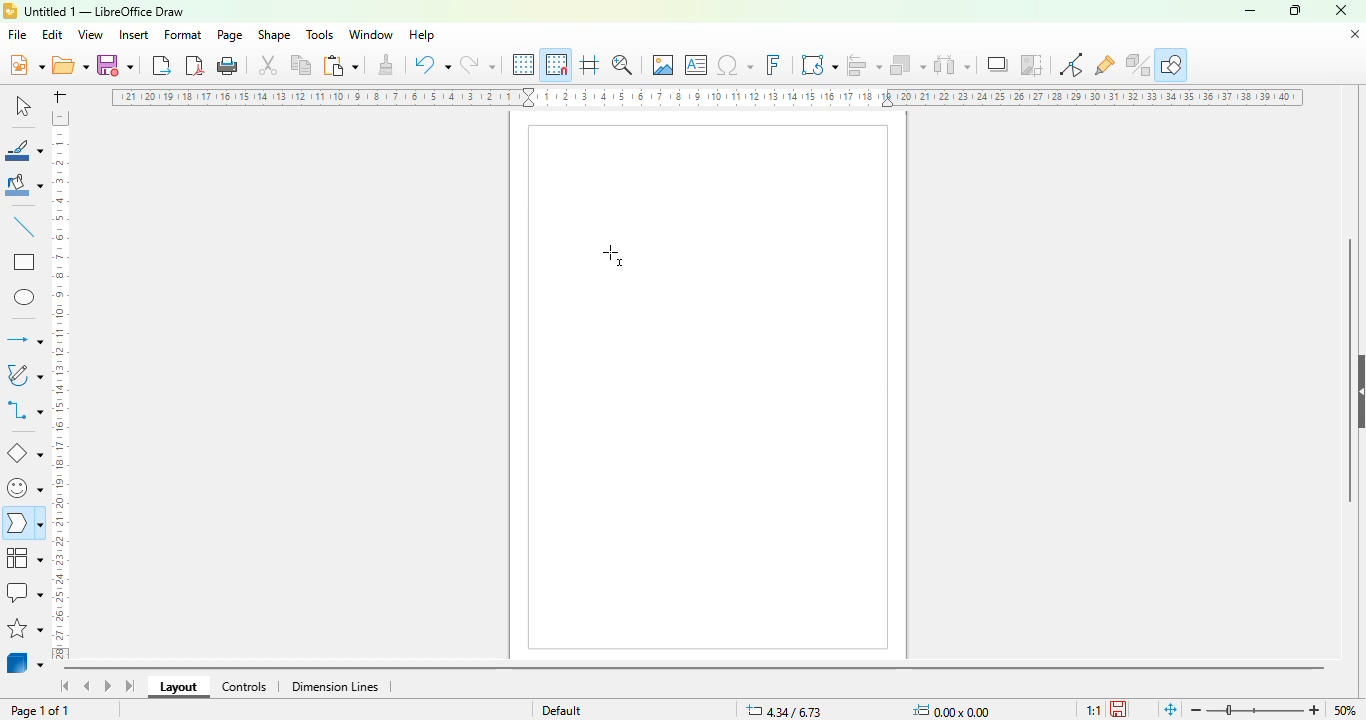  I want to click on open, so click(70, 64).